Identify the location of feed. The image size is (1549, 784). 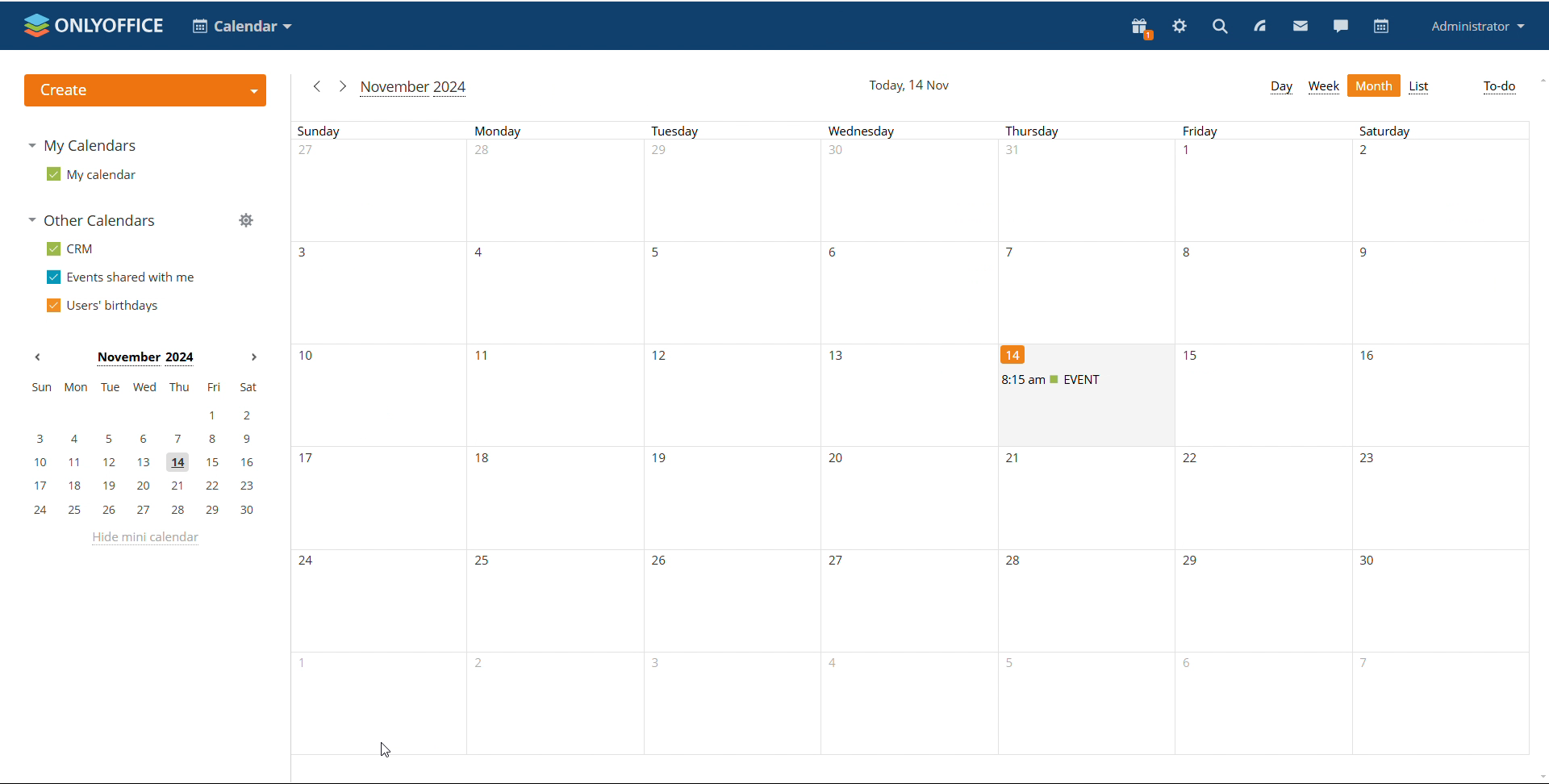
(1259, 27).